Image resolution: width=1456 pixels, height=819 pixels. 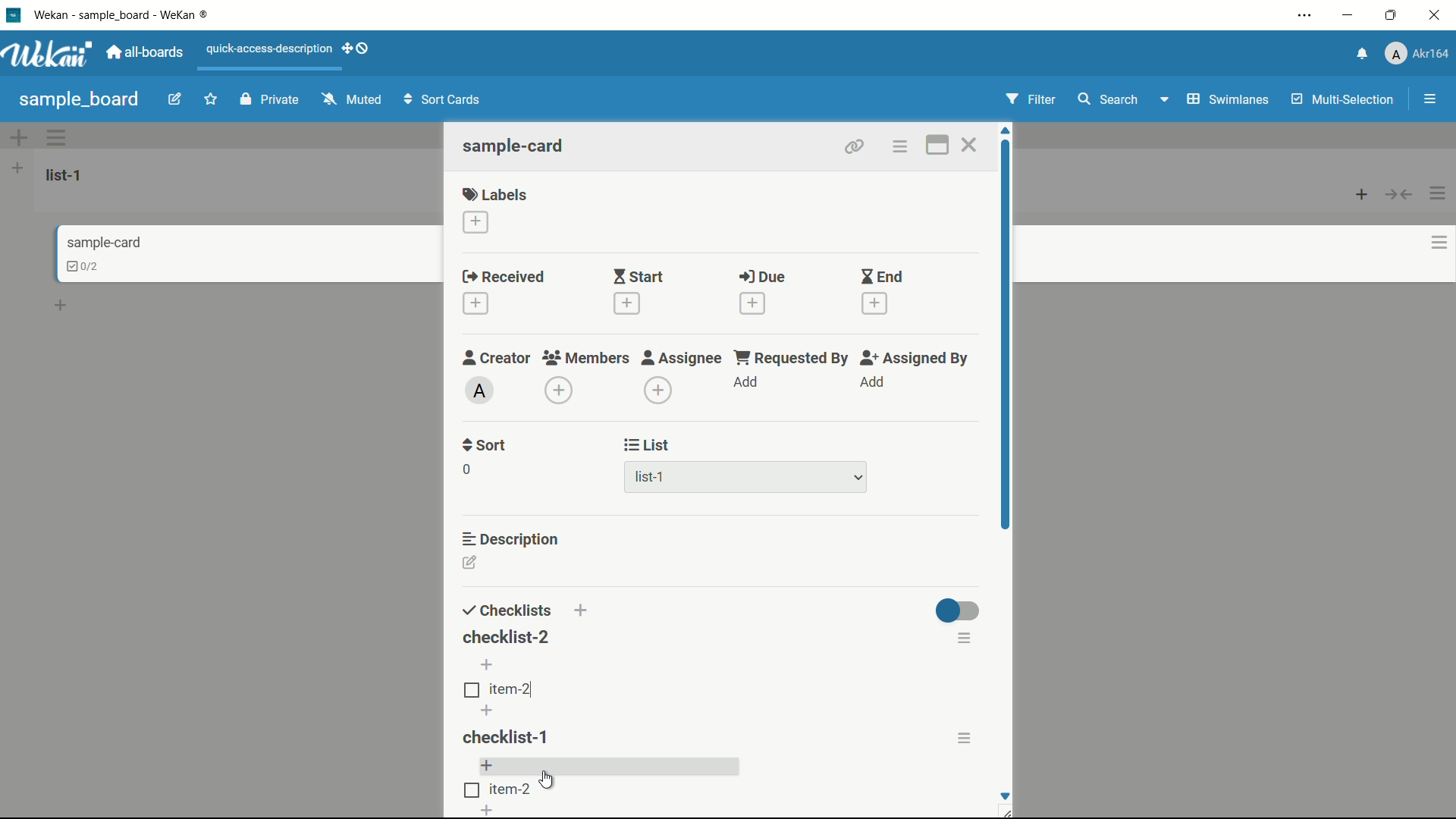 What do you see at coordinates (124, 14) in the screenshot?
I see `app name` at bounding box center [124, 14].